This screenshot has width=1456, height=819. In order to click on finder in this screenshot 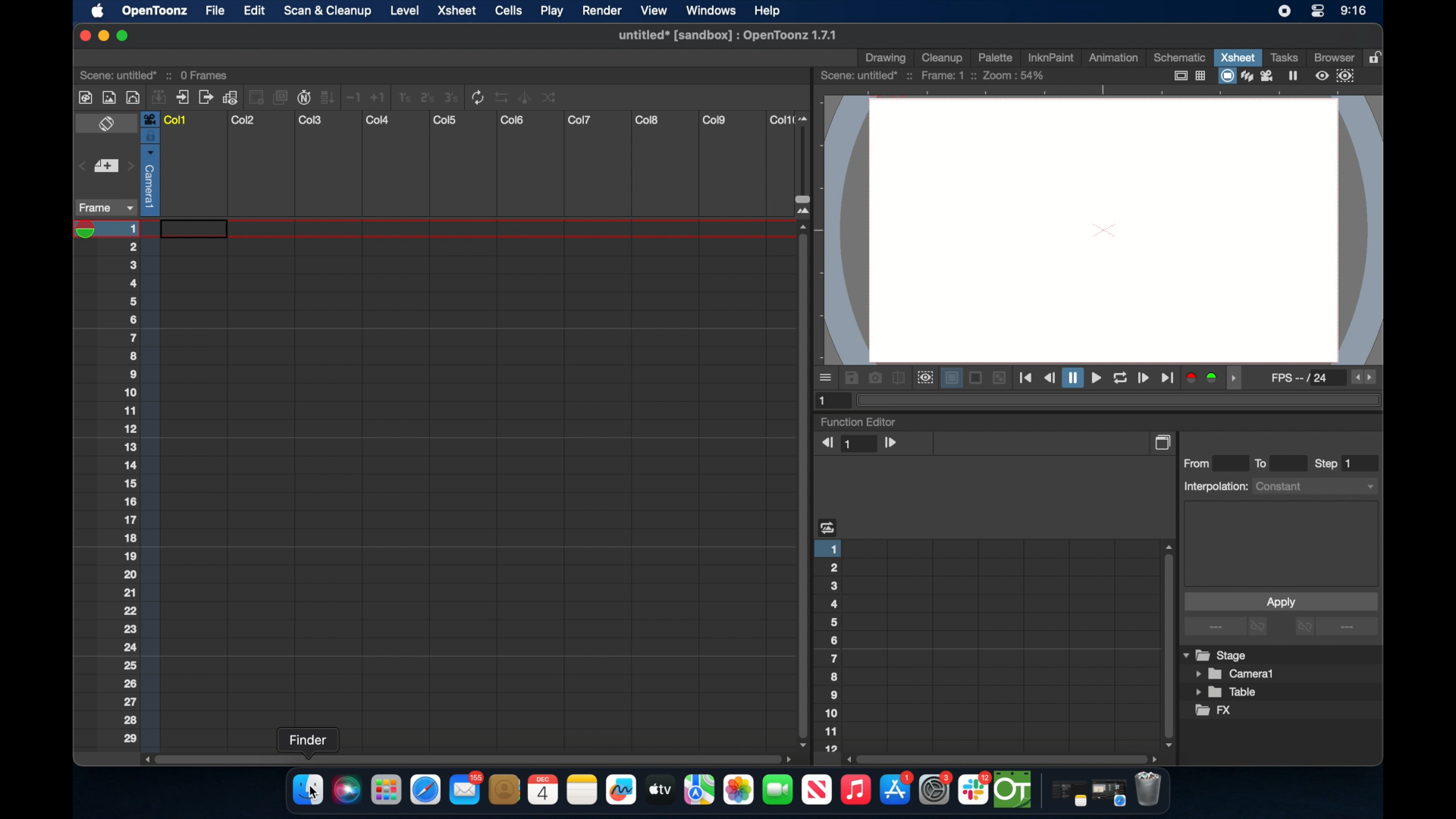, I will do `click(299, 790)`.